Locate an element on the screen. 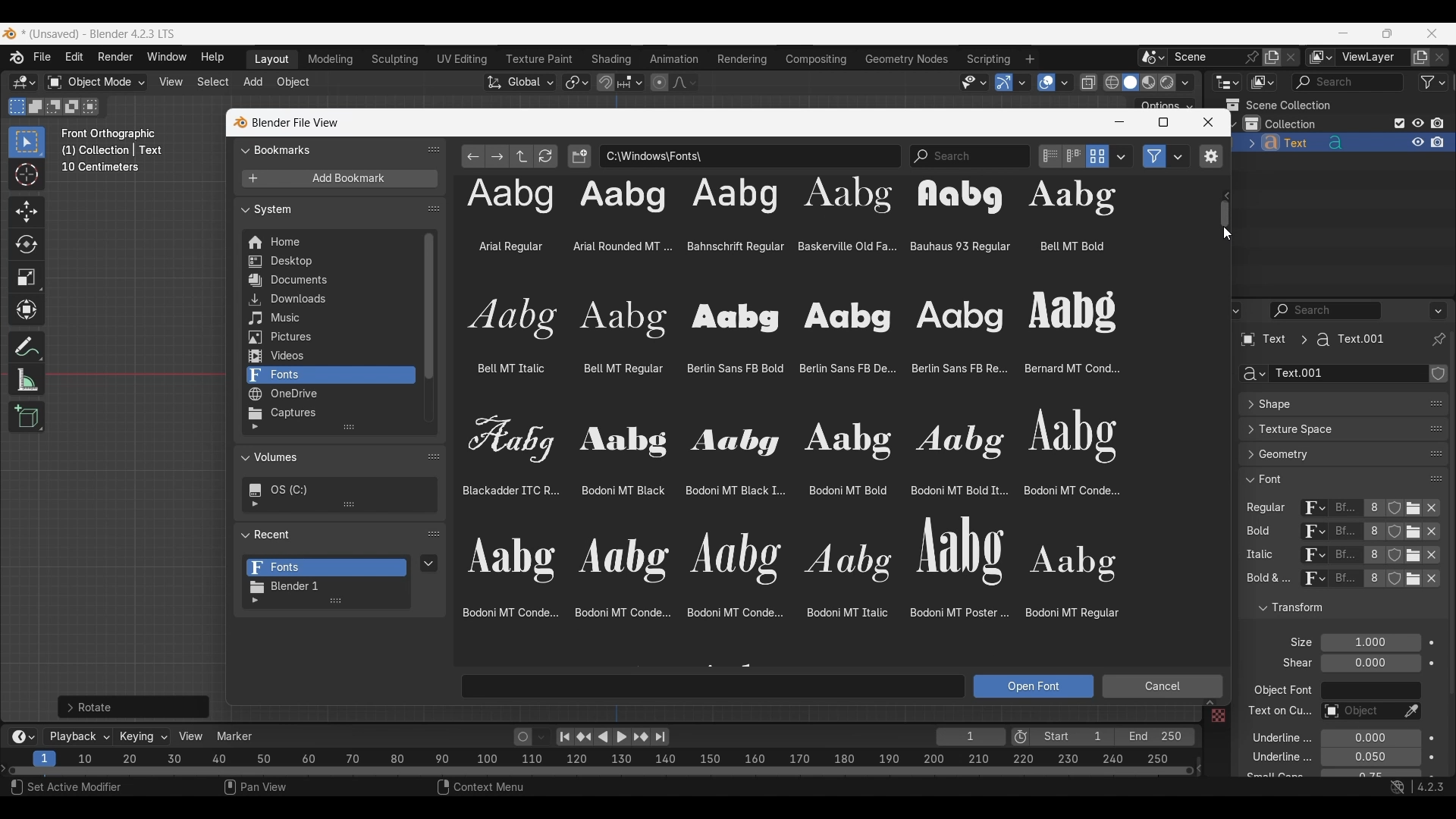 The image size is (1456, 819). Desktop folder is located at coordinates (329, 262).